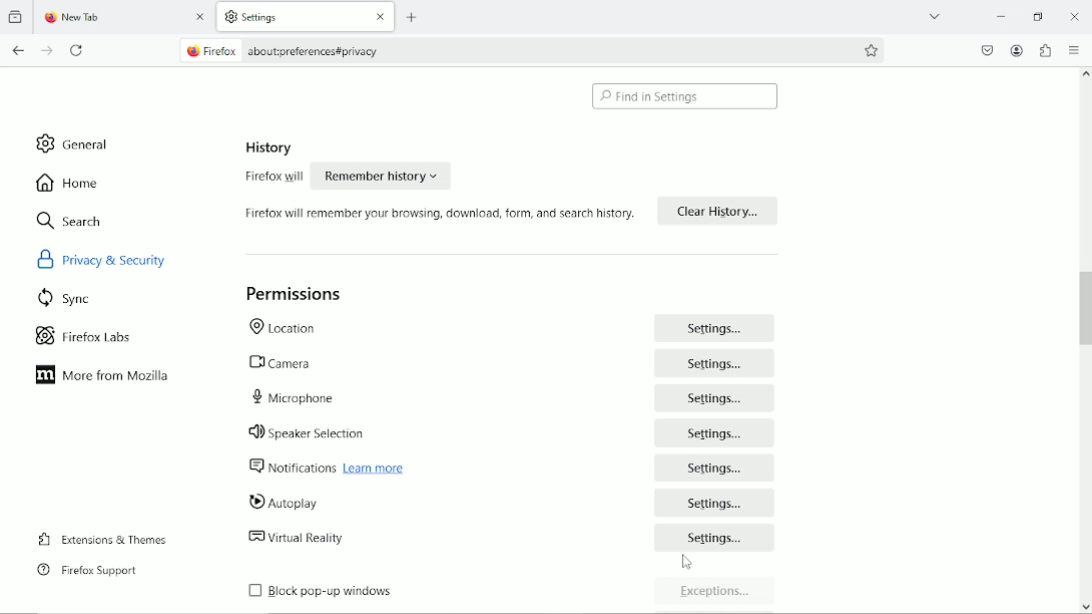 The image size is (1092, 614). What do you see at coordinates (19, 50) in the screenshot?
I see `go back` at bounding box center [19, 50].